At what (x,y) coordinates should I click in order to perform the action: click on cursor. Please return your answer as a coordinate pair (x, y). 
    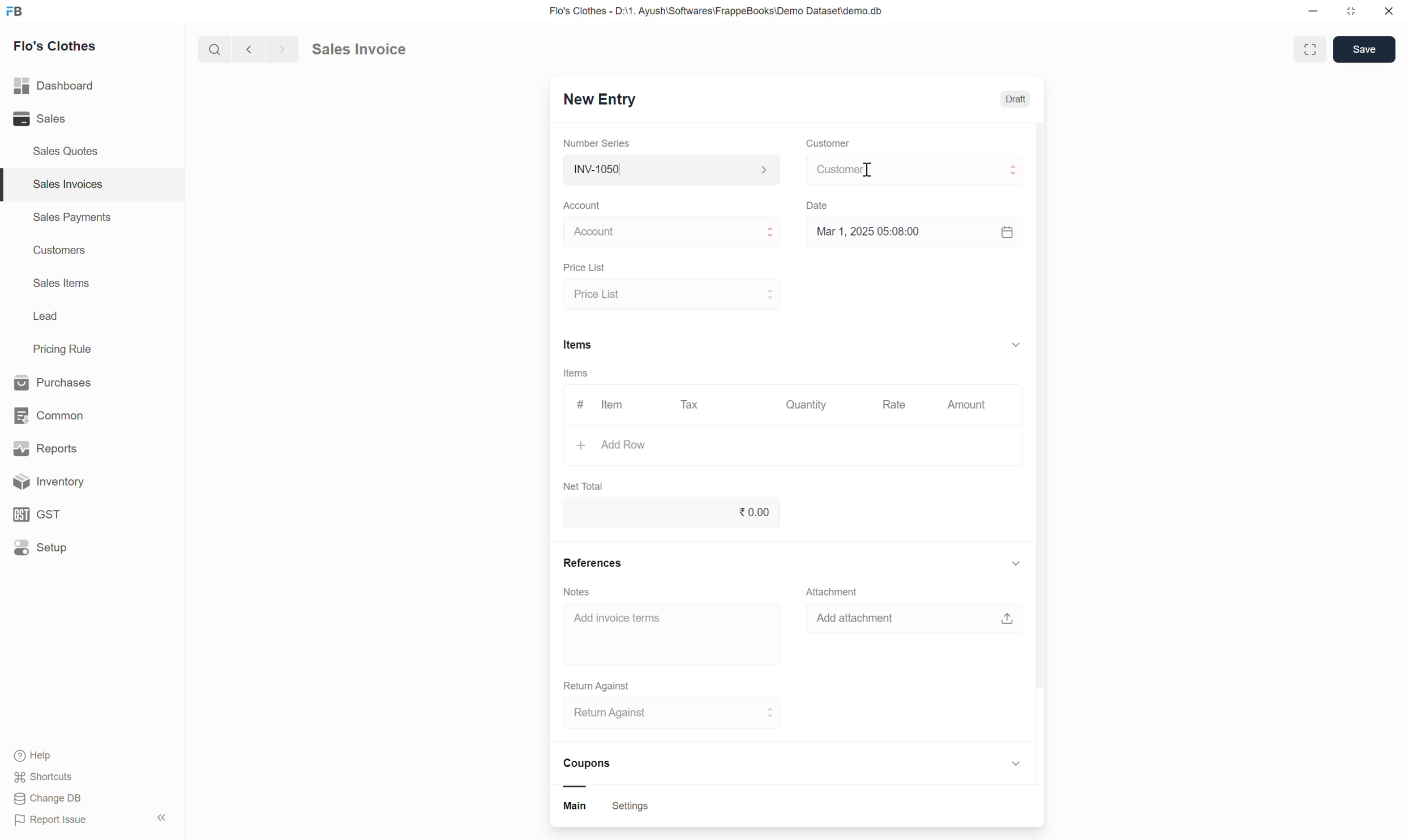
    Looking at the image, I should click on (867, 170).